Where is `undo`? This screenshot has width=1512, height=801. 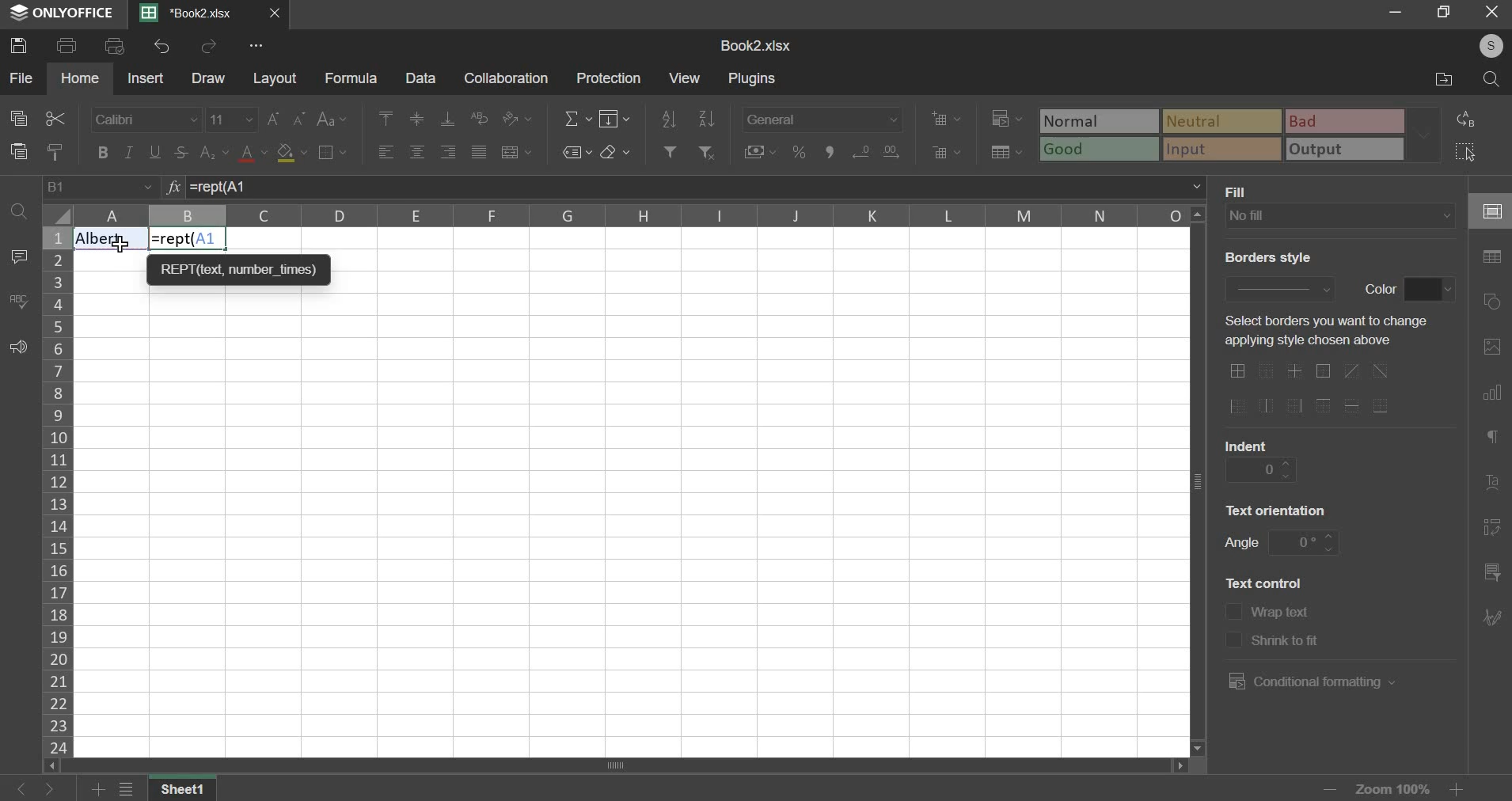 undo is located at coordinates (164, 46).